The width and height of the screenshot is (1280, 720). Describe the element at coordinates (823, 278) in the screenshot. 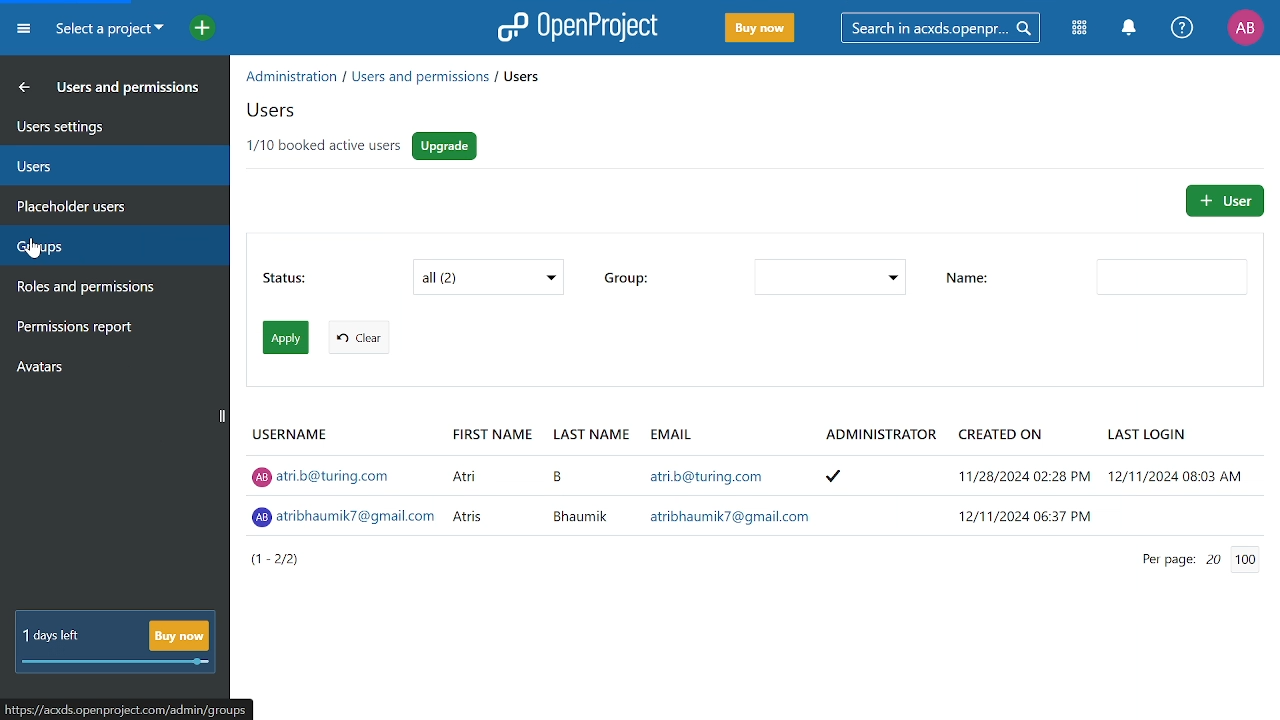

I see `Group` at that location.